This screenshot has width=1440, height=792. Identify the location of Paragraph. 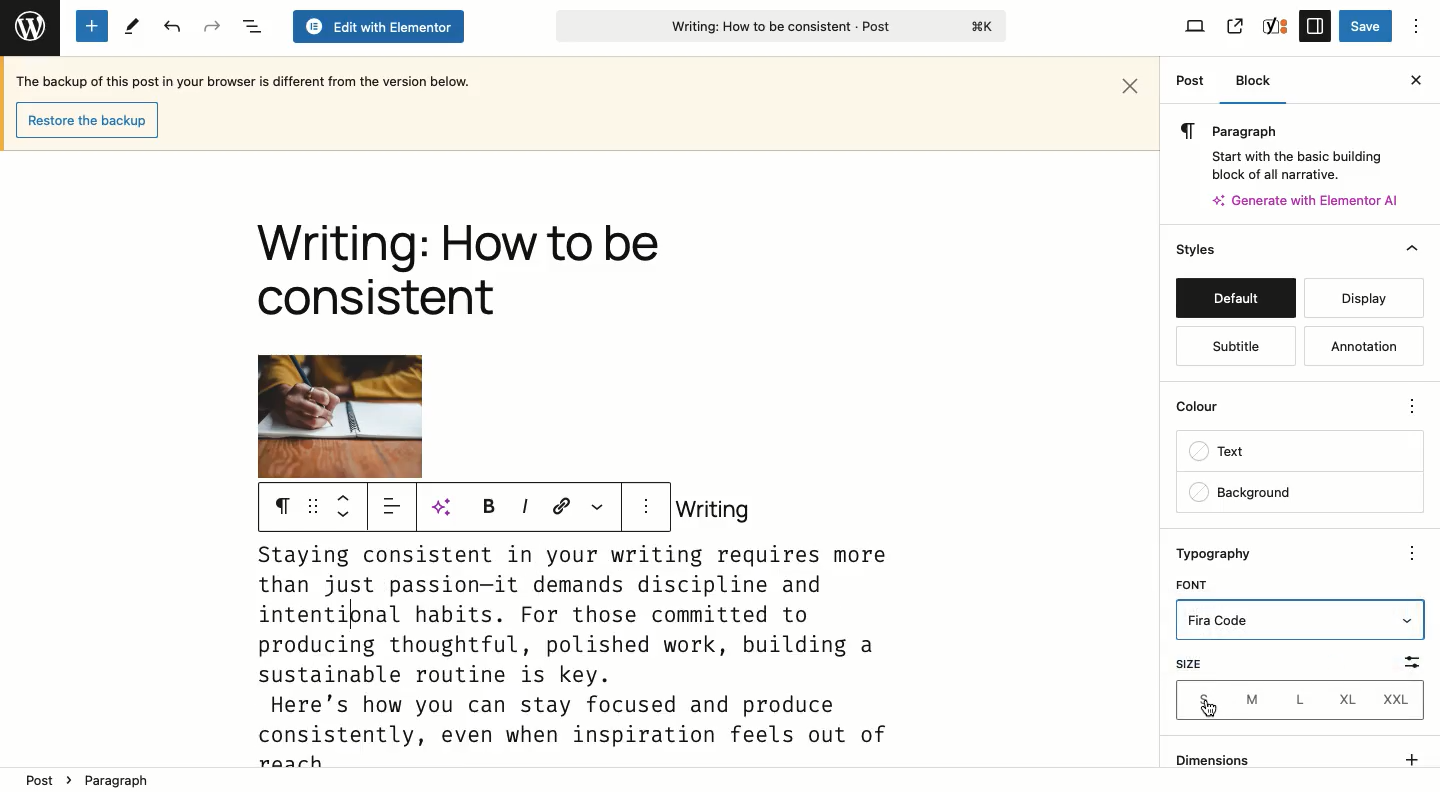
(1285, 130).